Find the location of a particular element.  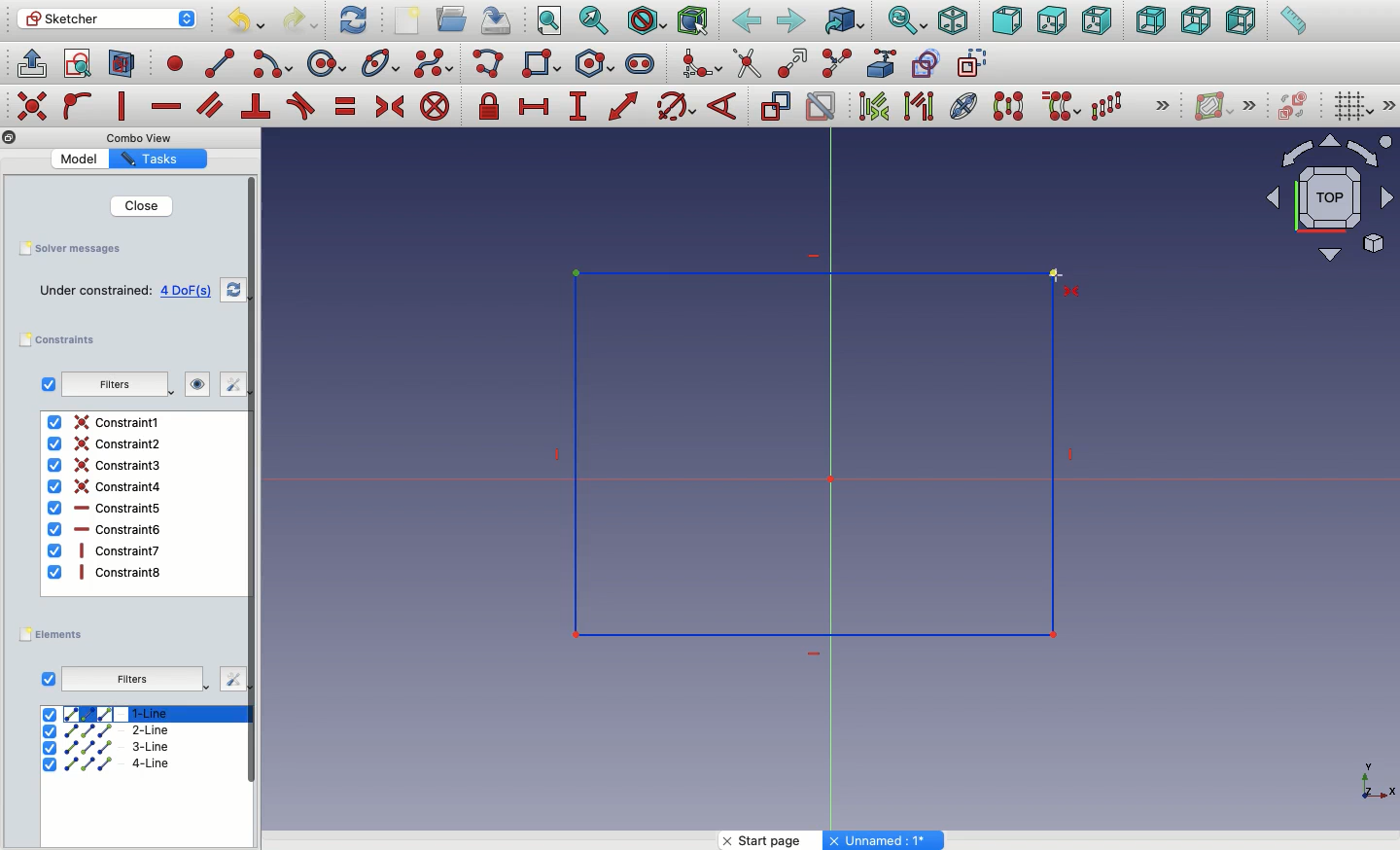

Expand is located at coordinates (1163, 107).